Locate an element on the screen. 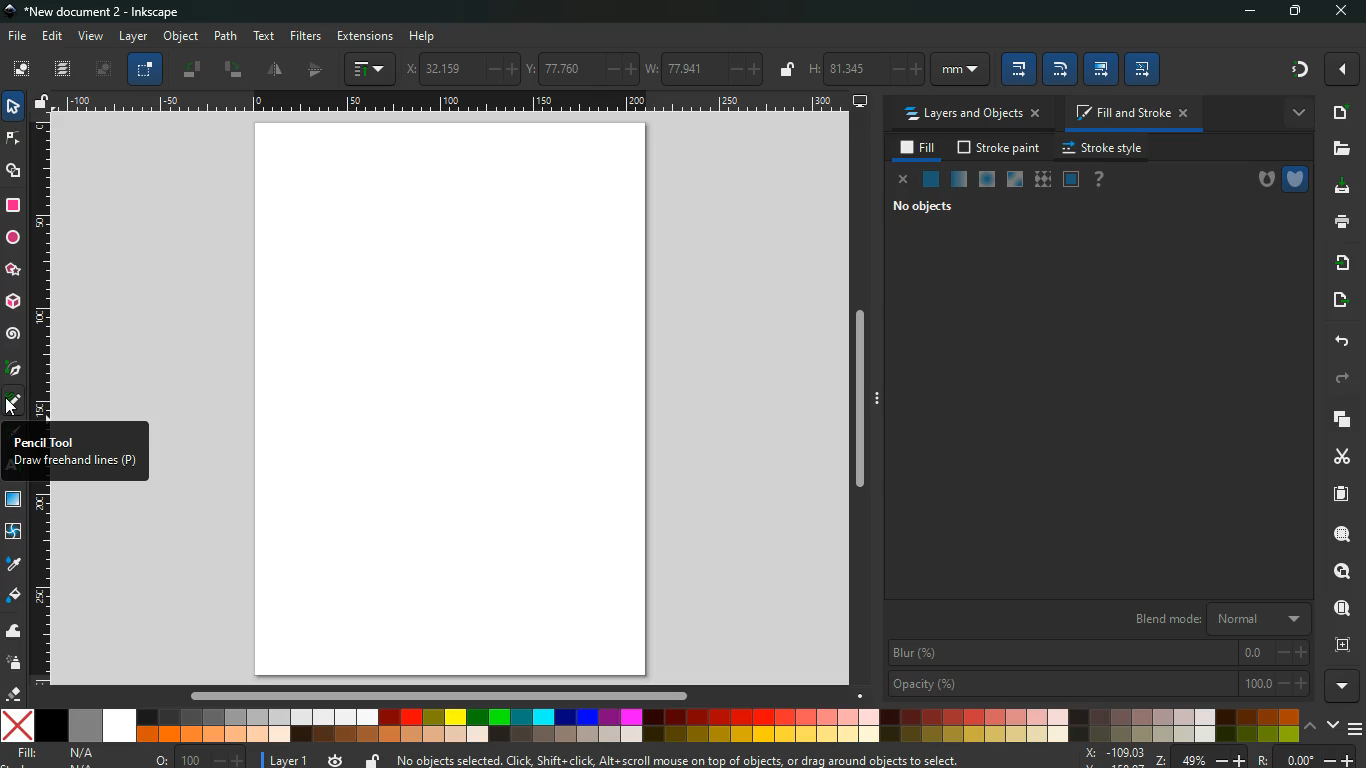 This screenshot has width=1366, height=768. y is located at coordinates (581, 67).